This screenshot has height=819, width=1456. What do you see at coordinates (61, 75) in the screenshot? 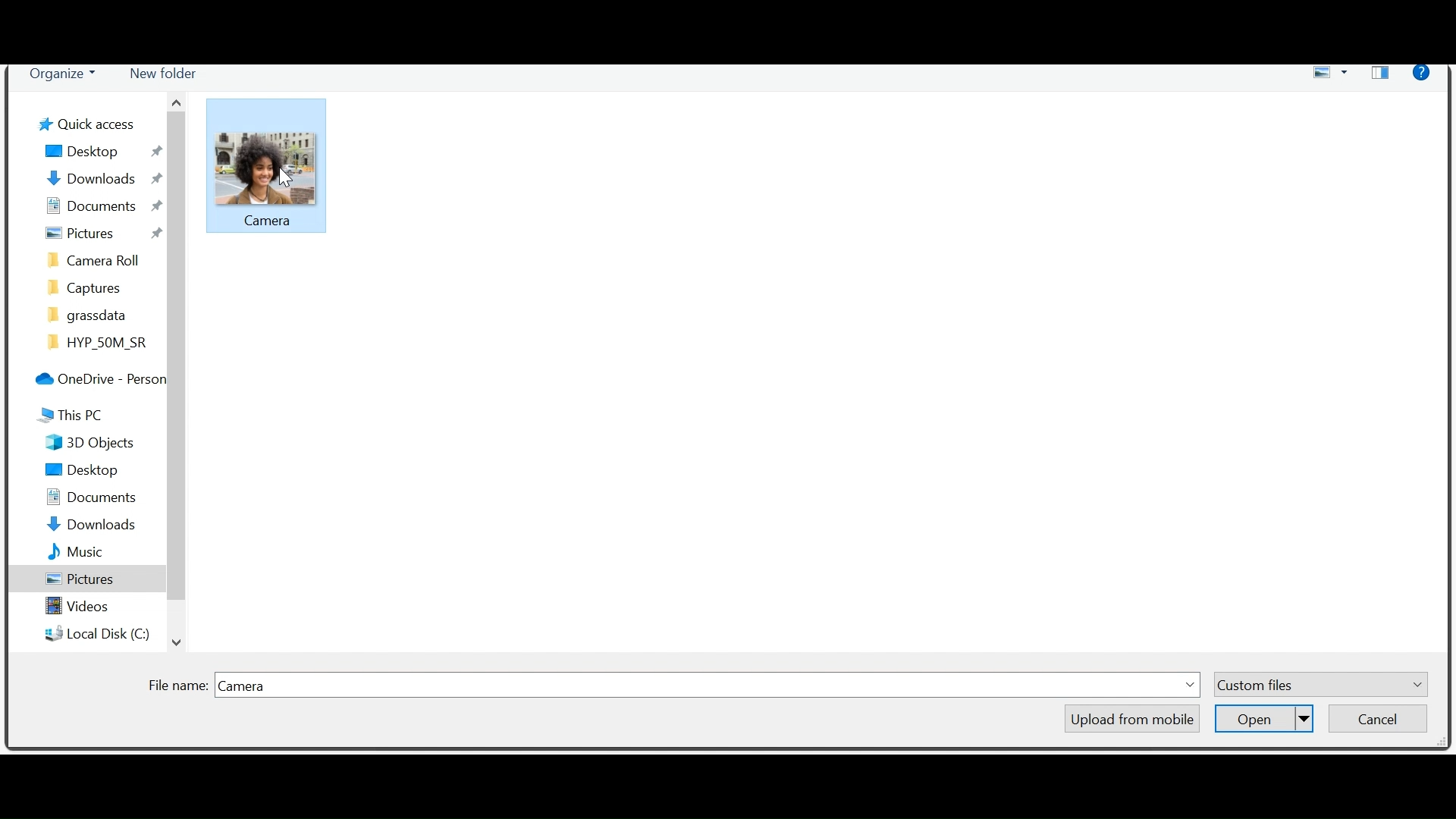
I see `Organize` at bounding box center [61, 75].